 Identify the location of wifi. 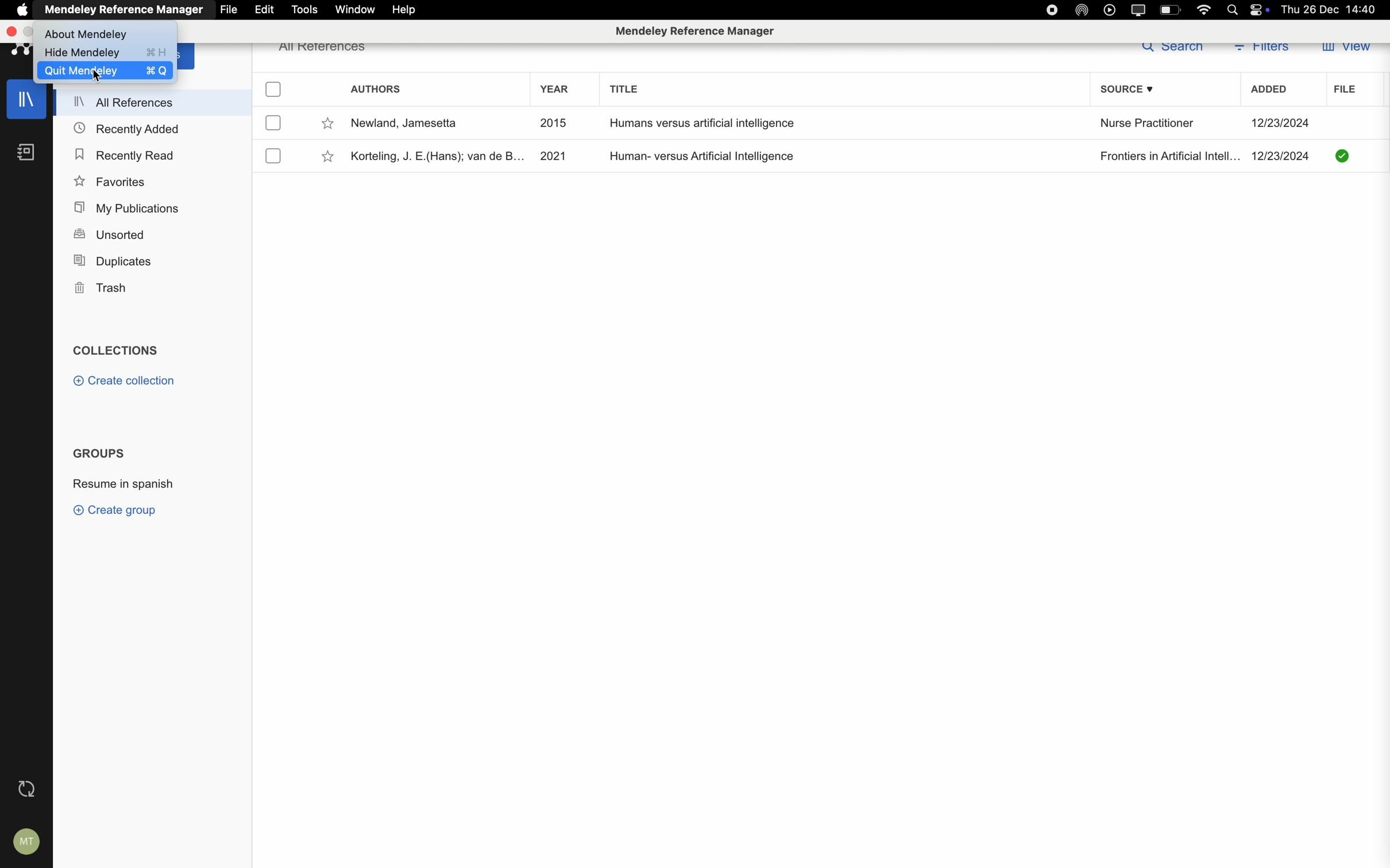
(1206, 9).